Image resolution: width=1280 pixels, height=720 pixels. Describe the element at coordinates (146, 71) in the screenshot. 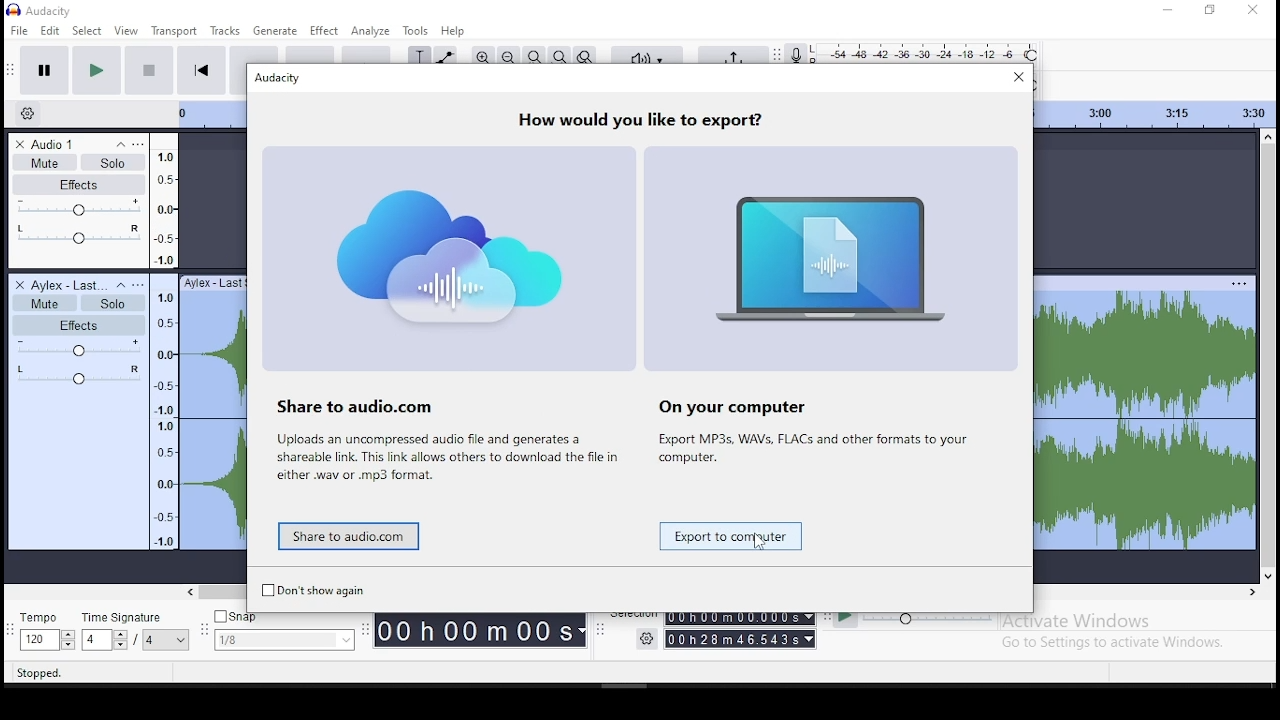

I see `stop` at that location.